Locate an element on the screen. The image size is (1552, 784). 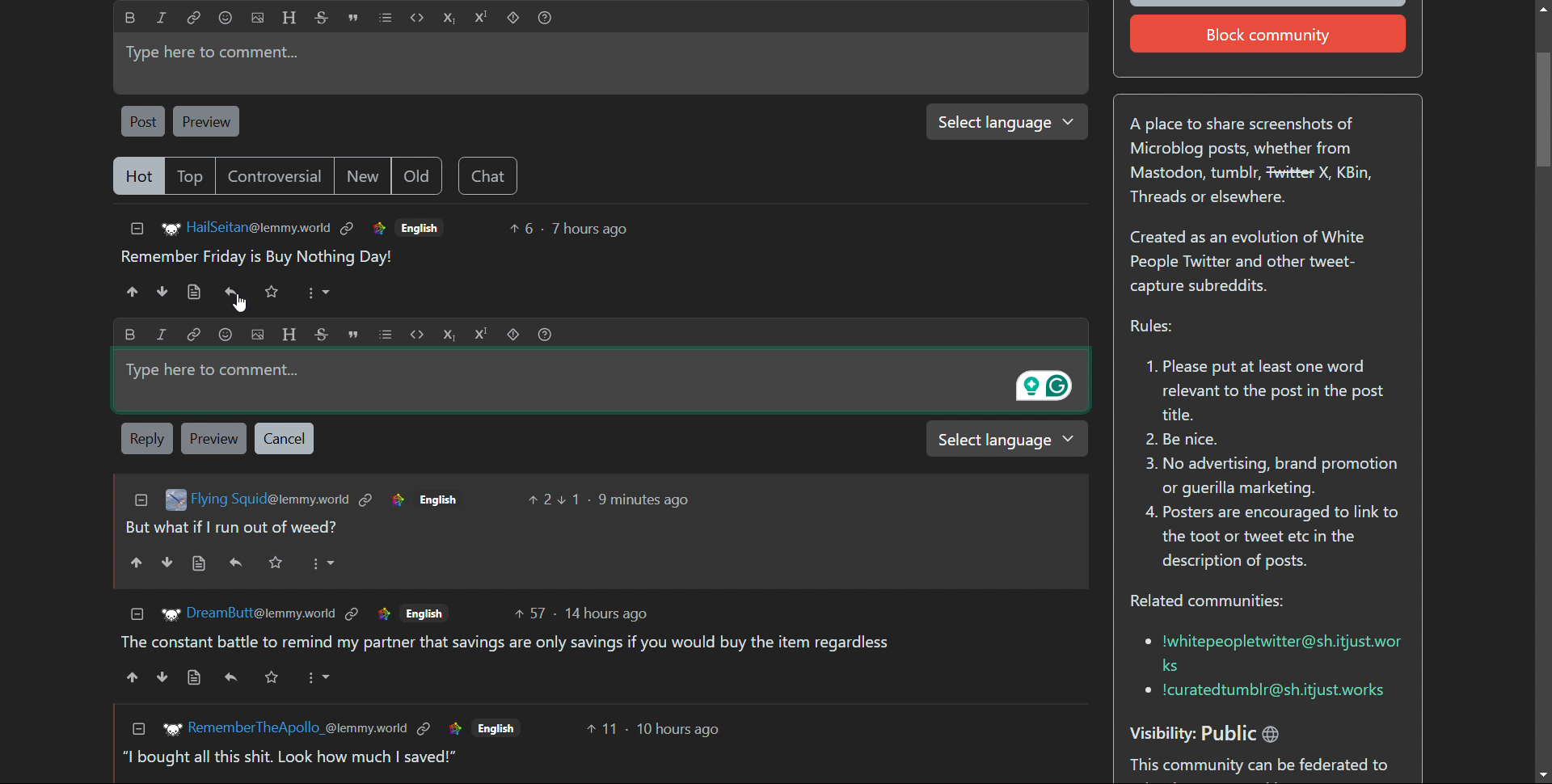
reply is located at coordinates (147, 439).